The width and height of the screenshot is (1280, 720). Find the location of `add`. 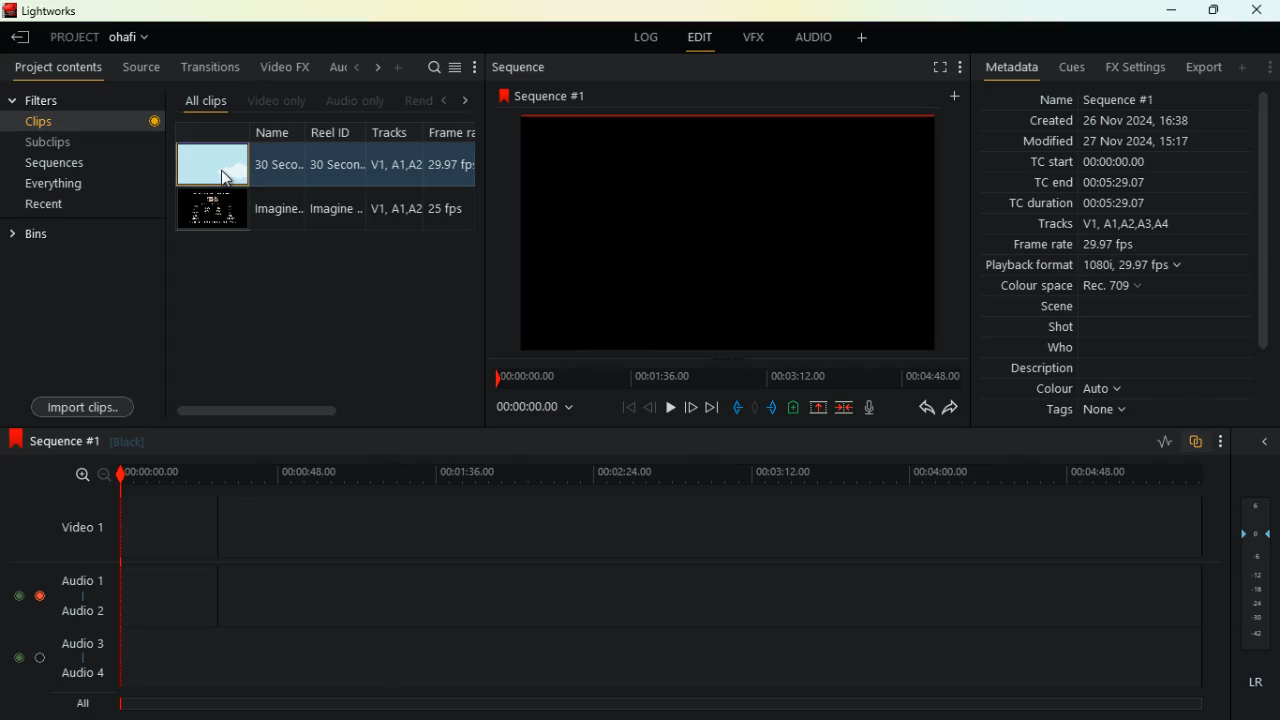

add is located at coordinates (1244, 67).